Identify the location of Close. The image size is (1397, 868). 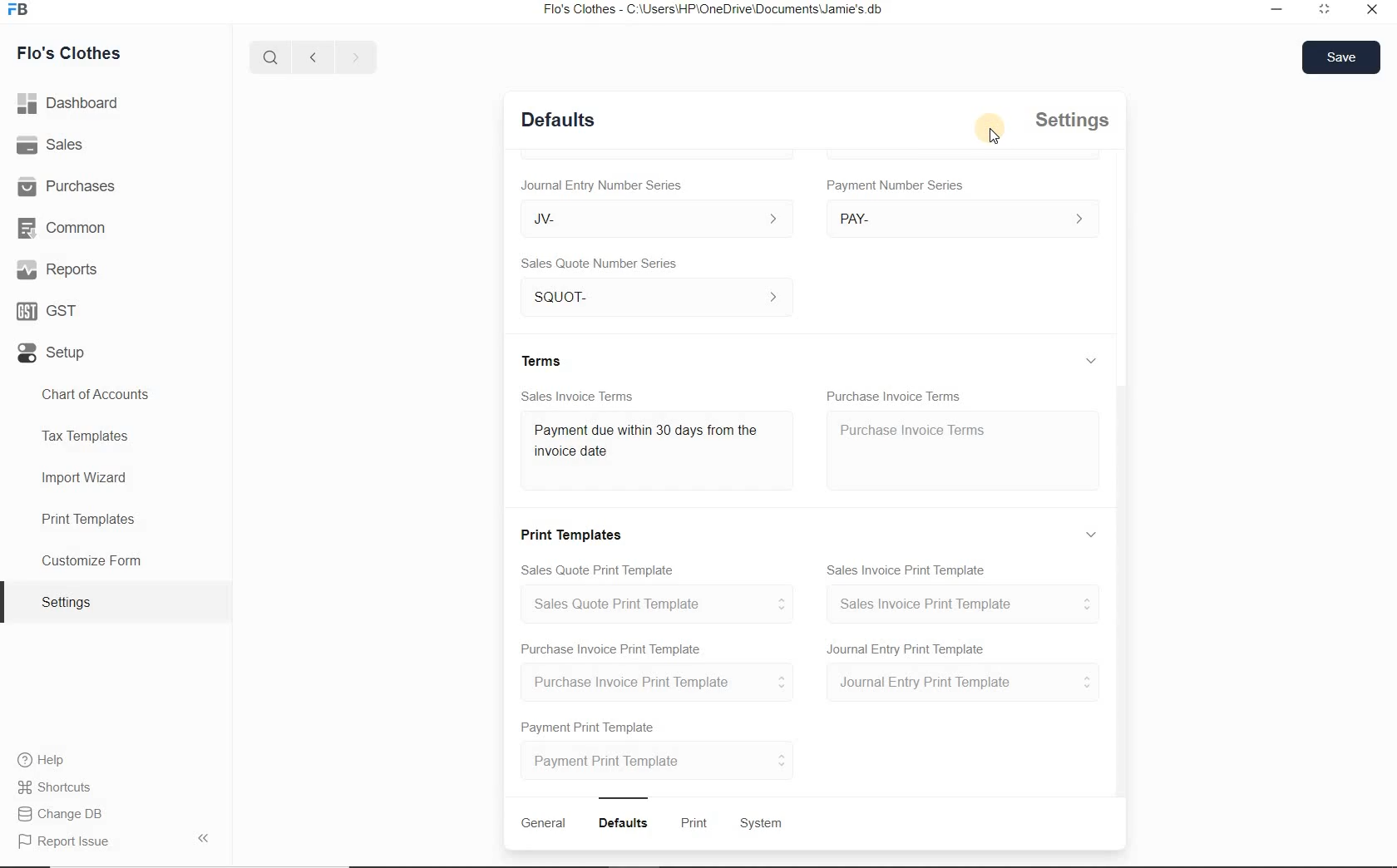
(1372, 8).